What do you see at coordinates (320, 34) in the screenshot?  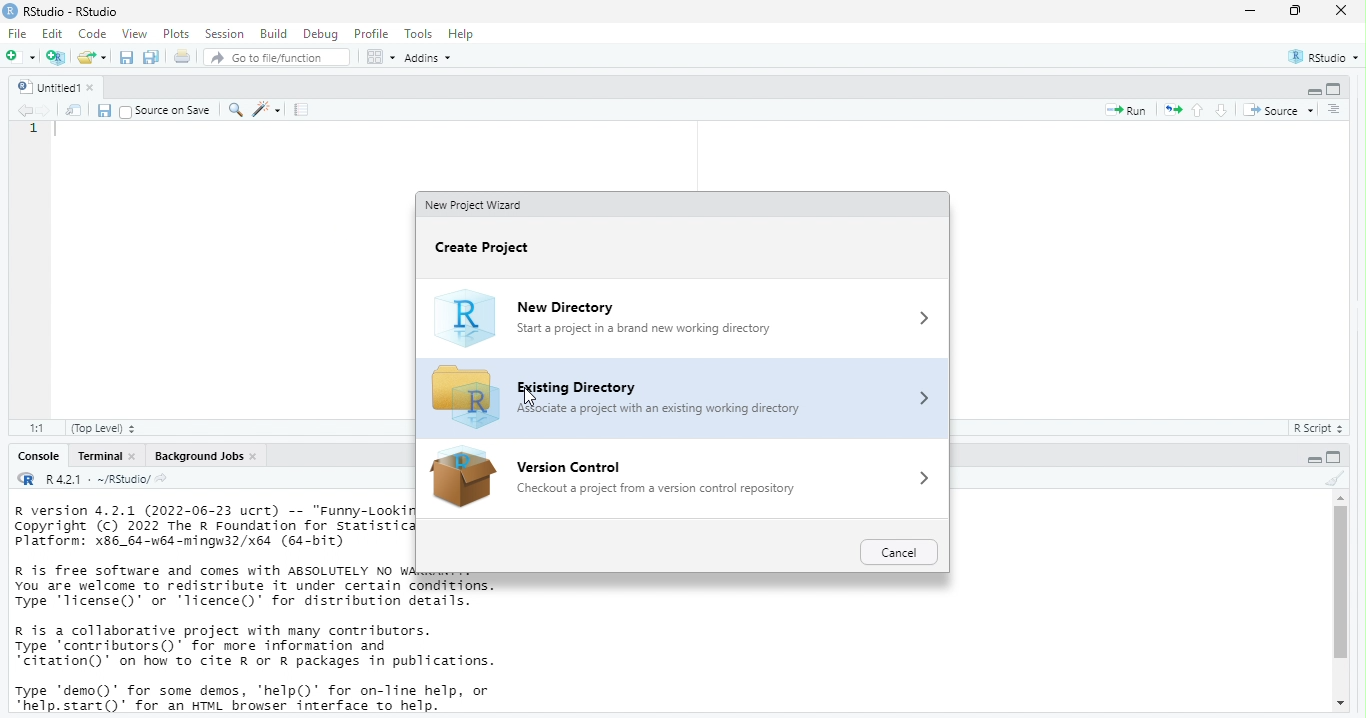 I see `debug` at bounding box center [320, 34].